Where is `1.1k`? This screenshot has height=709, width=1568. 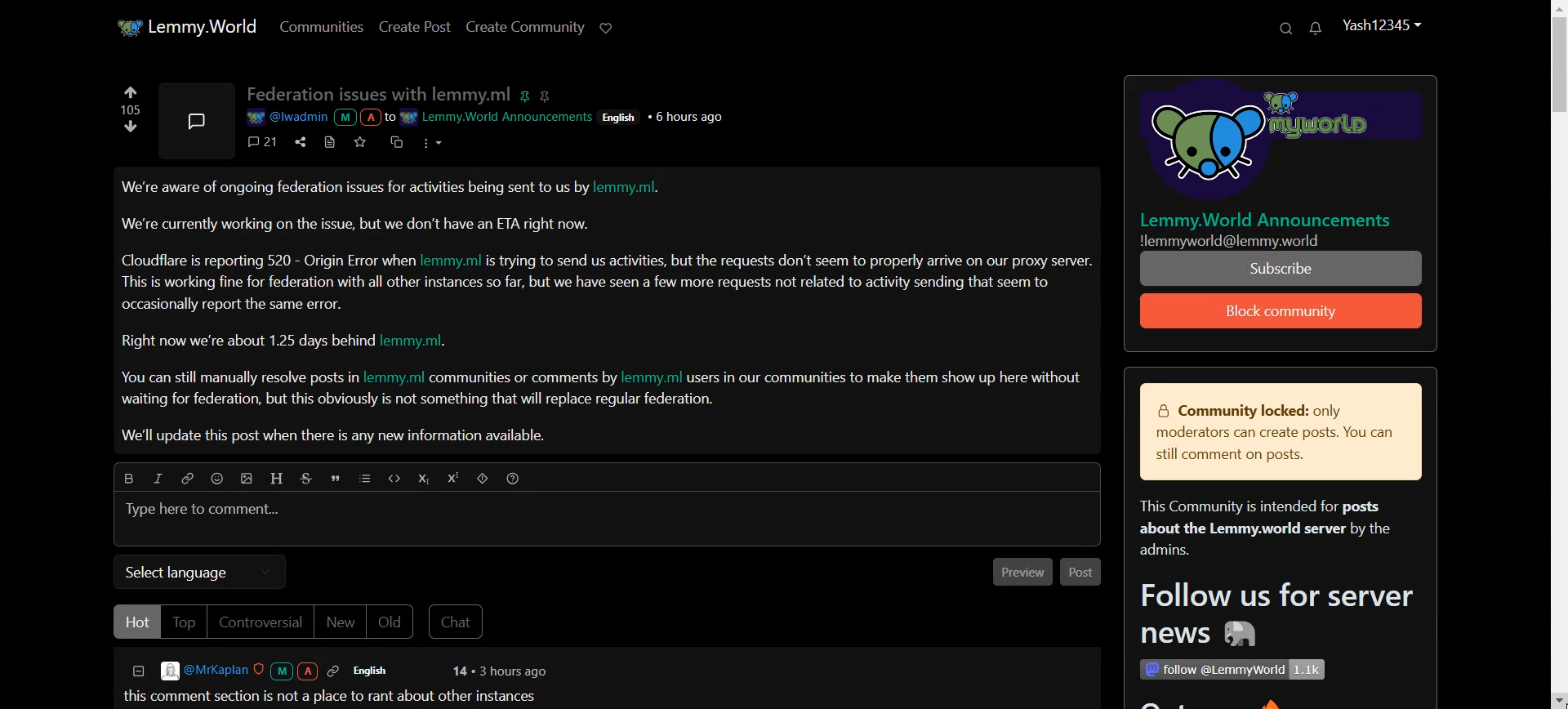
1.1k is located at coordinates (1311, 668).